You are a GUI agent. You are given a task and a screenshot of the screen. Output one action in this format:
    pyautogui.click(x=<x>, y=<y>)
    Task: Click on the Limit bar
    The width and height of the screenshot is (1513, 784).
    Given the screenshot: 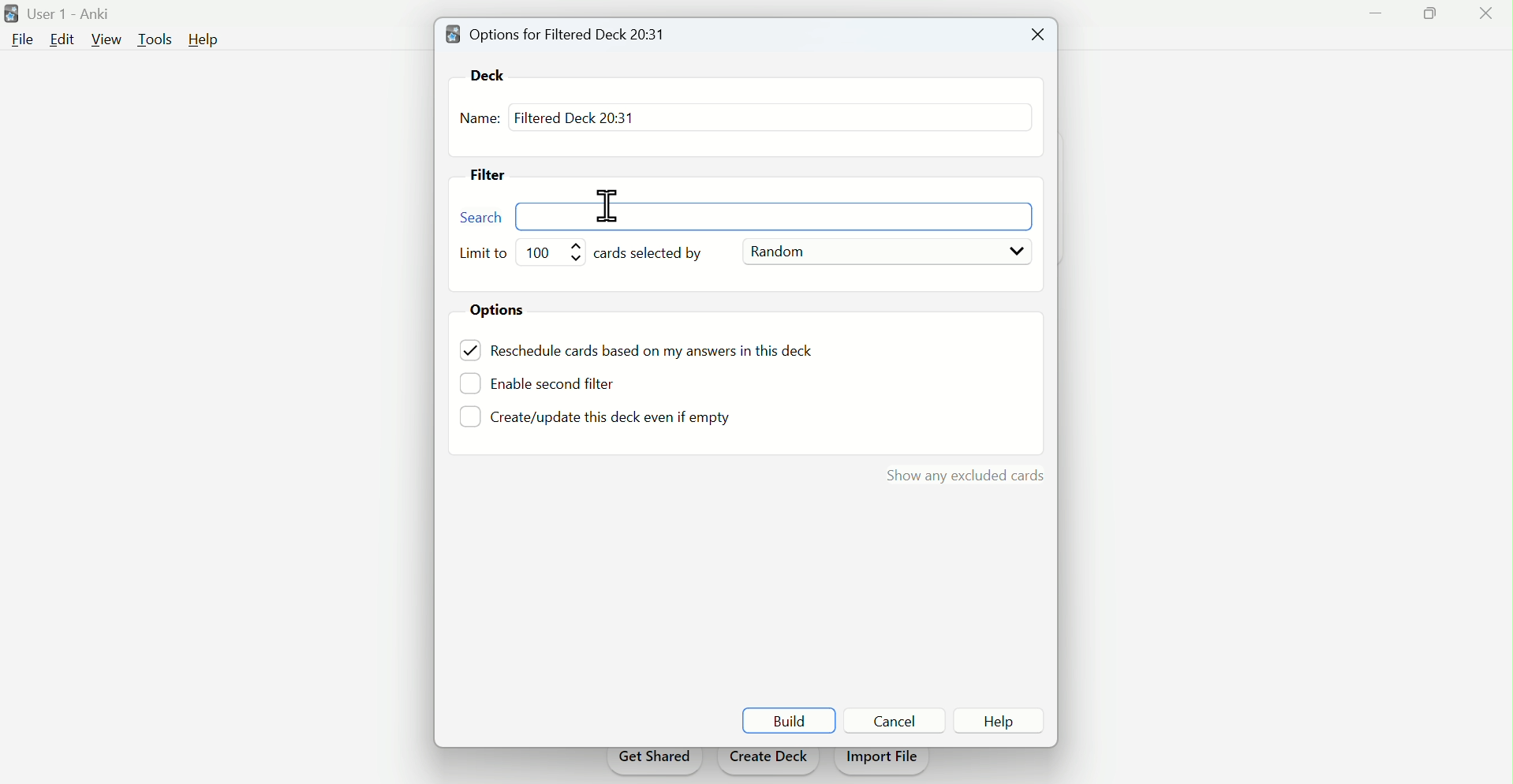 What is the action you would take?
    pyautogui.click(x=555, y=252)
    